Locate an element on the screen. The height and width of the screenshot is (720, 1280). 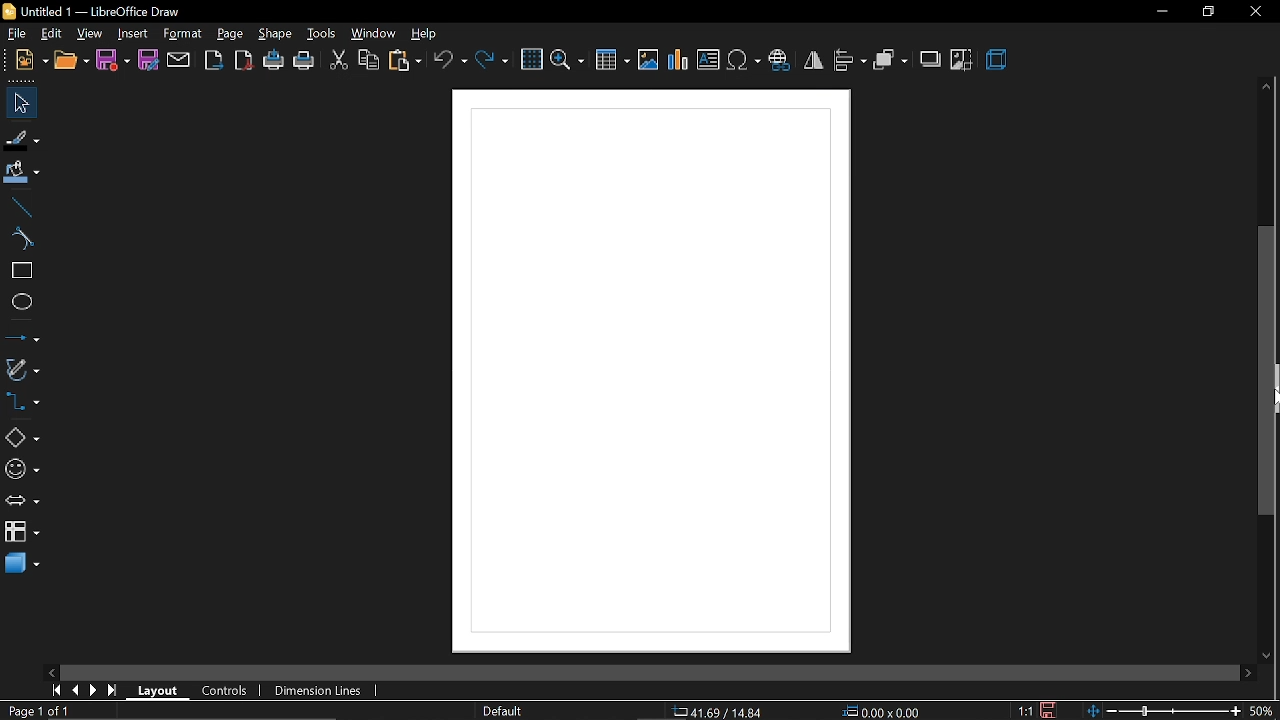
ellipse is located at coordinates (20, 301).